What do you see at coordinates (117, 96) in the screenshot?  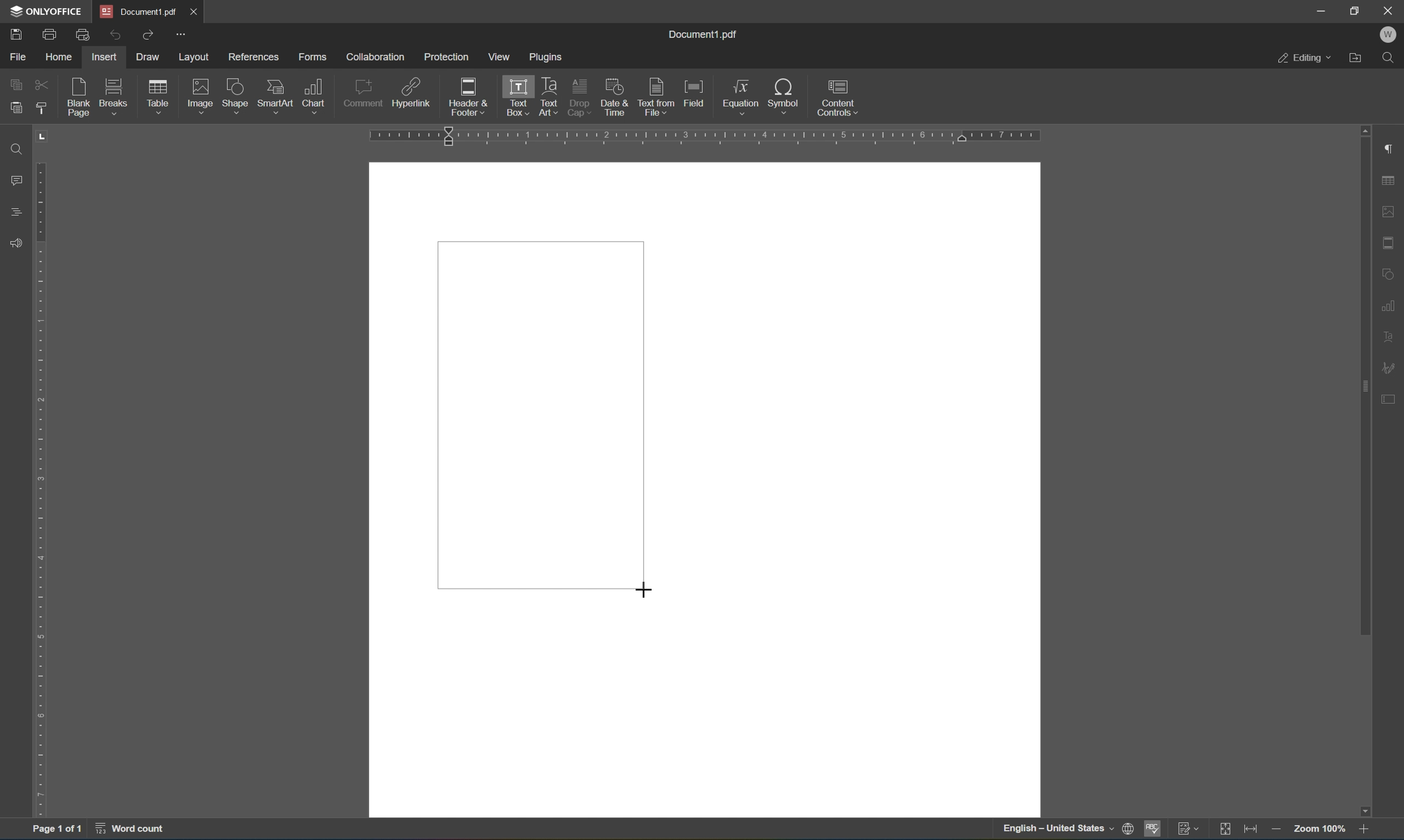 I see `breaks` at bounding box center [117, 96].